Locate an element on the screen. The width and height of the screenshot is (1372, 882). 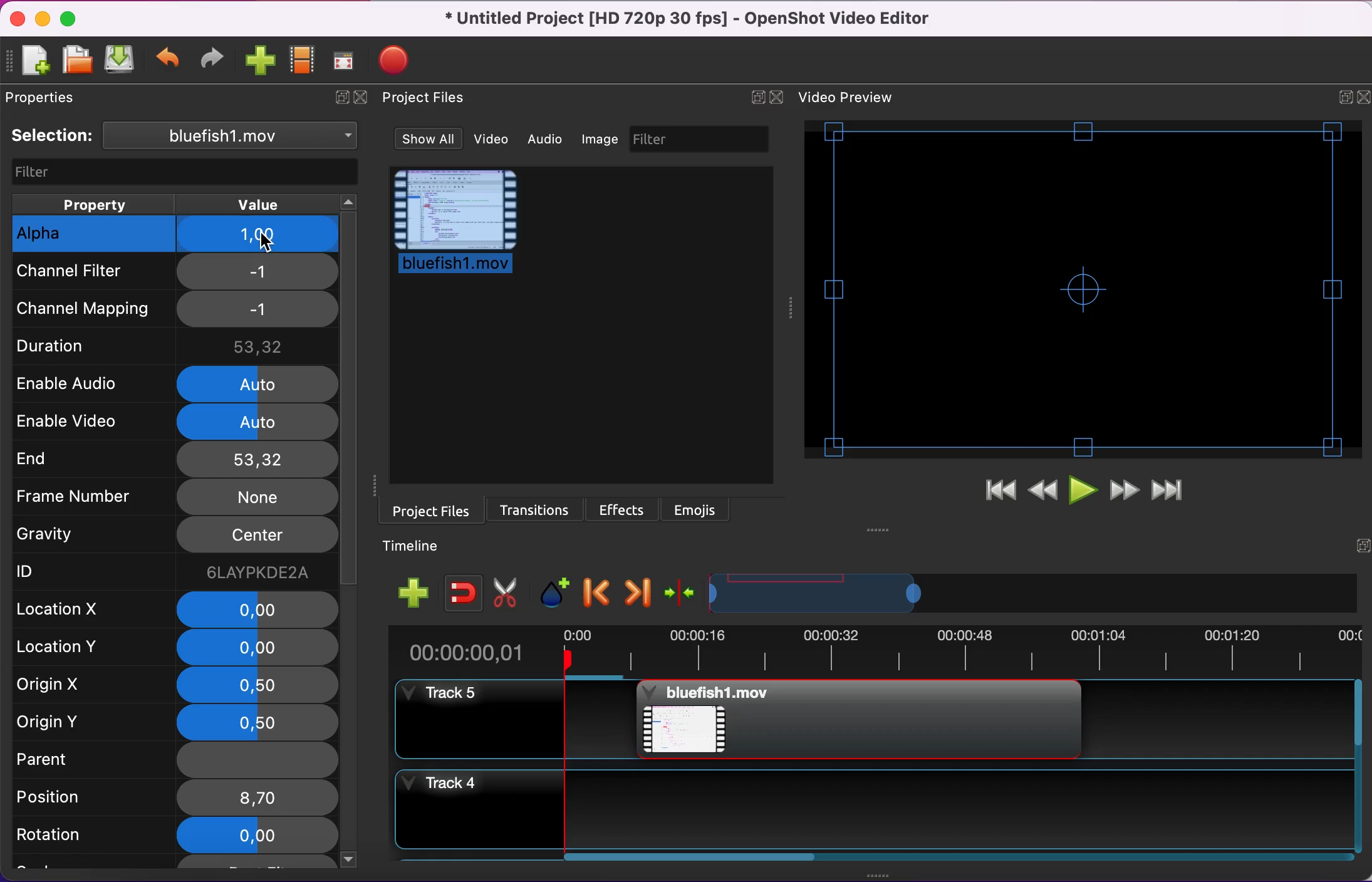
enable audio is located at coordinates (93, 383).